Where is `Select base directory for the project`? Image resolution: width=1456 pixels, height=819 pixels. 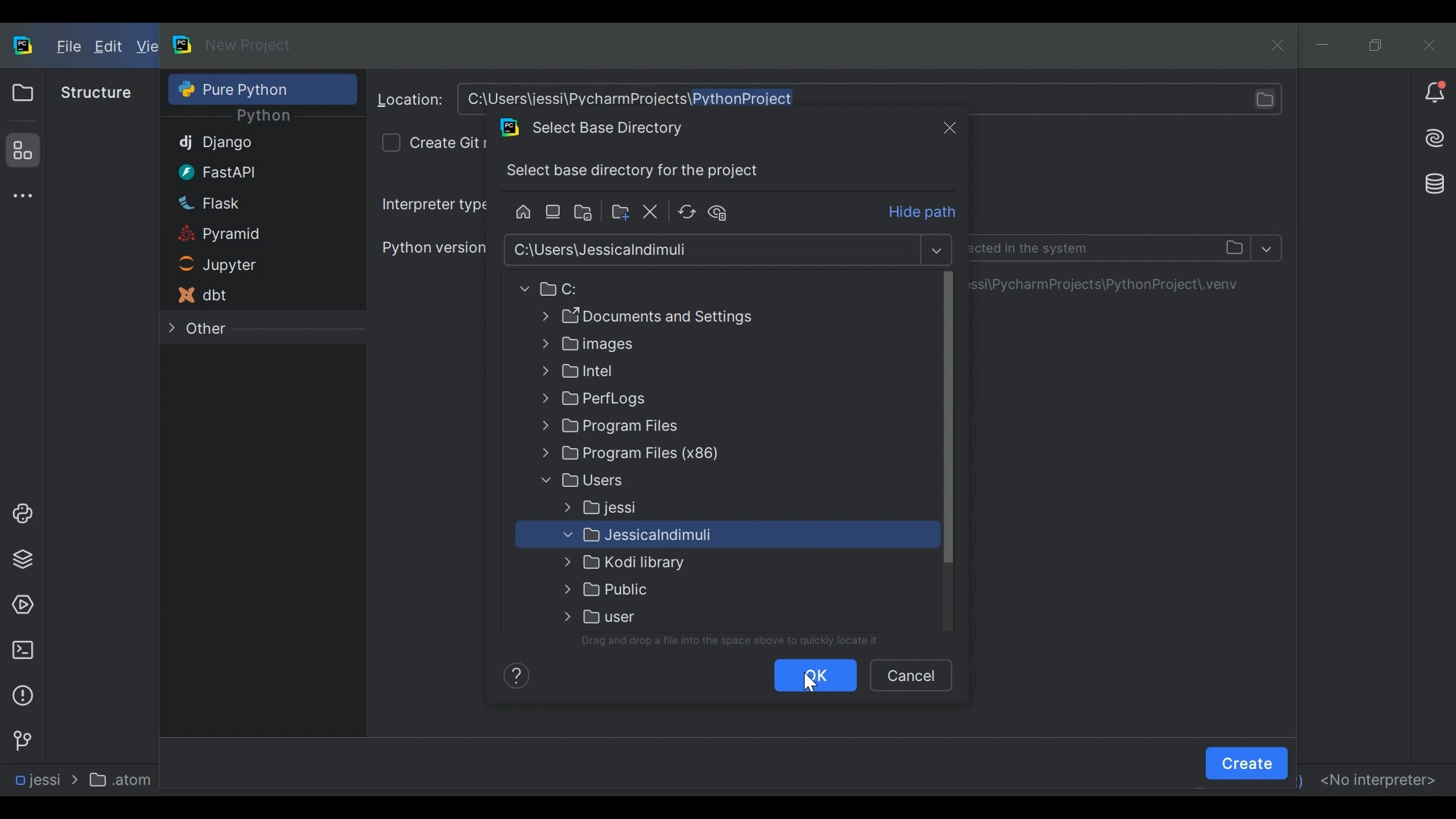 Select base directory for the project is located at coordinates (638, 171).